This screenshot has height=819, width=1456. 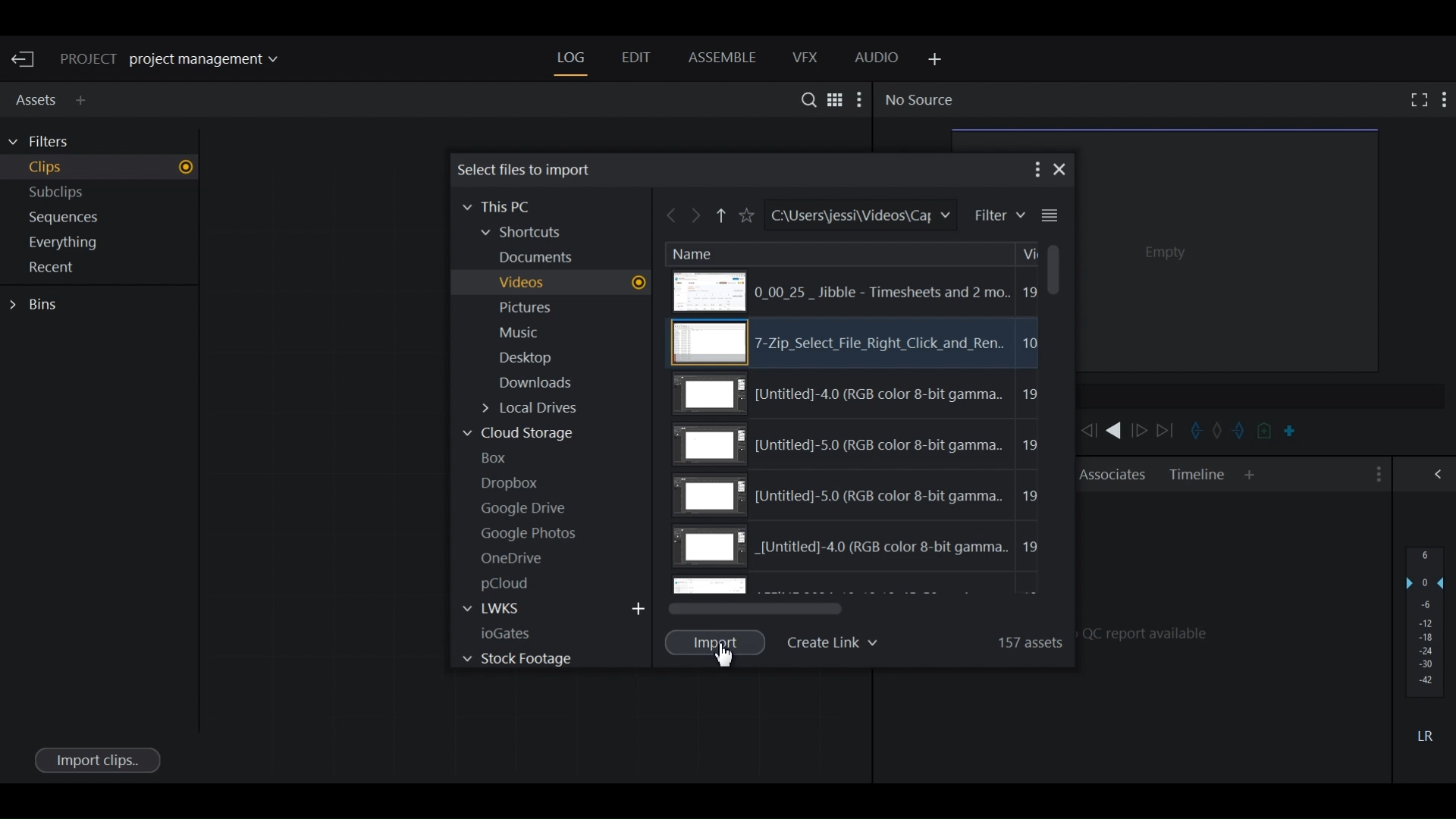 I want to click on Audio, so click(x=877, y=60).